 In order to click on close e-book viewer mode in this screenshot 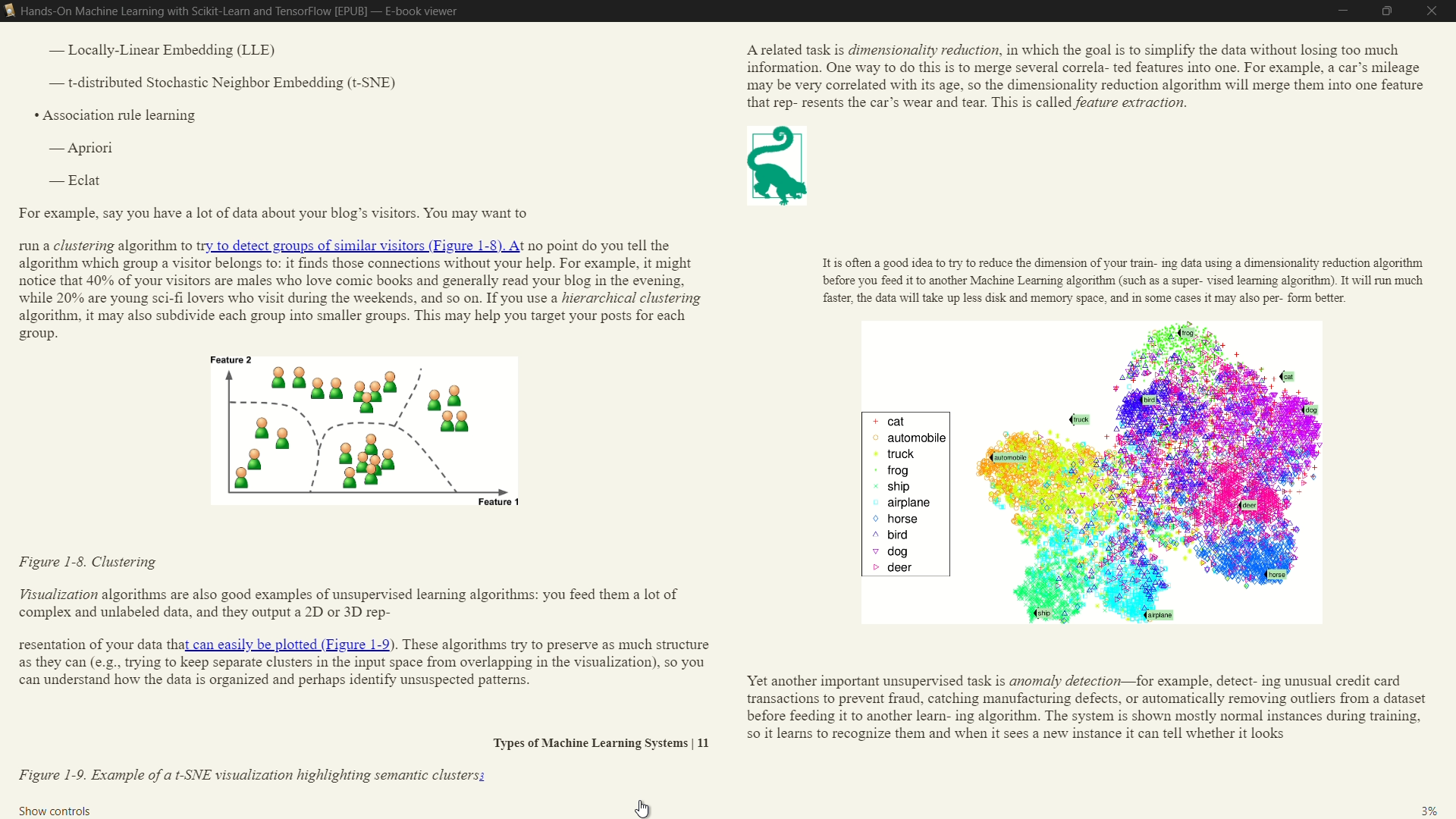, I will do `click(1436, 11)`.